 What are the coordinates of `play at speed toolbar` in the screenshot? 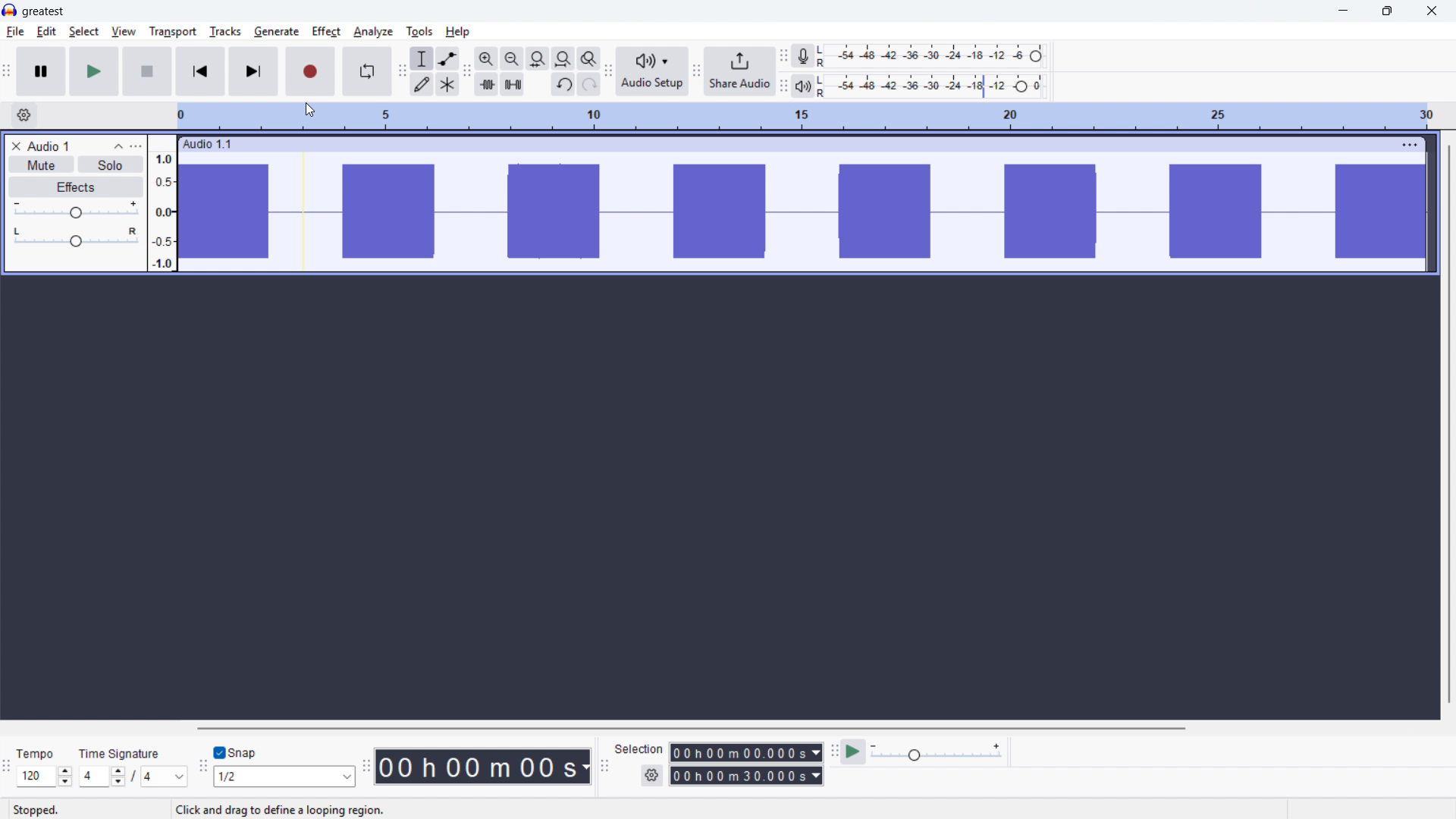 It's located at (835, 752).